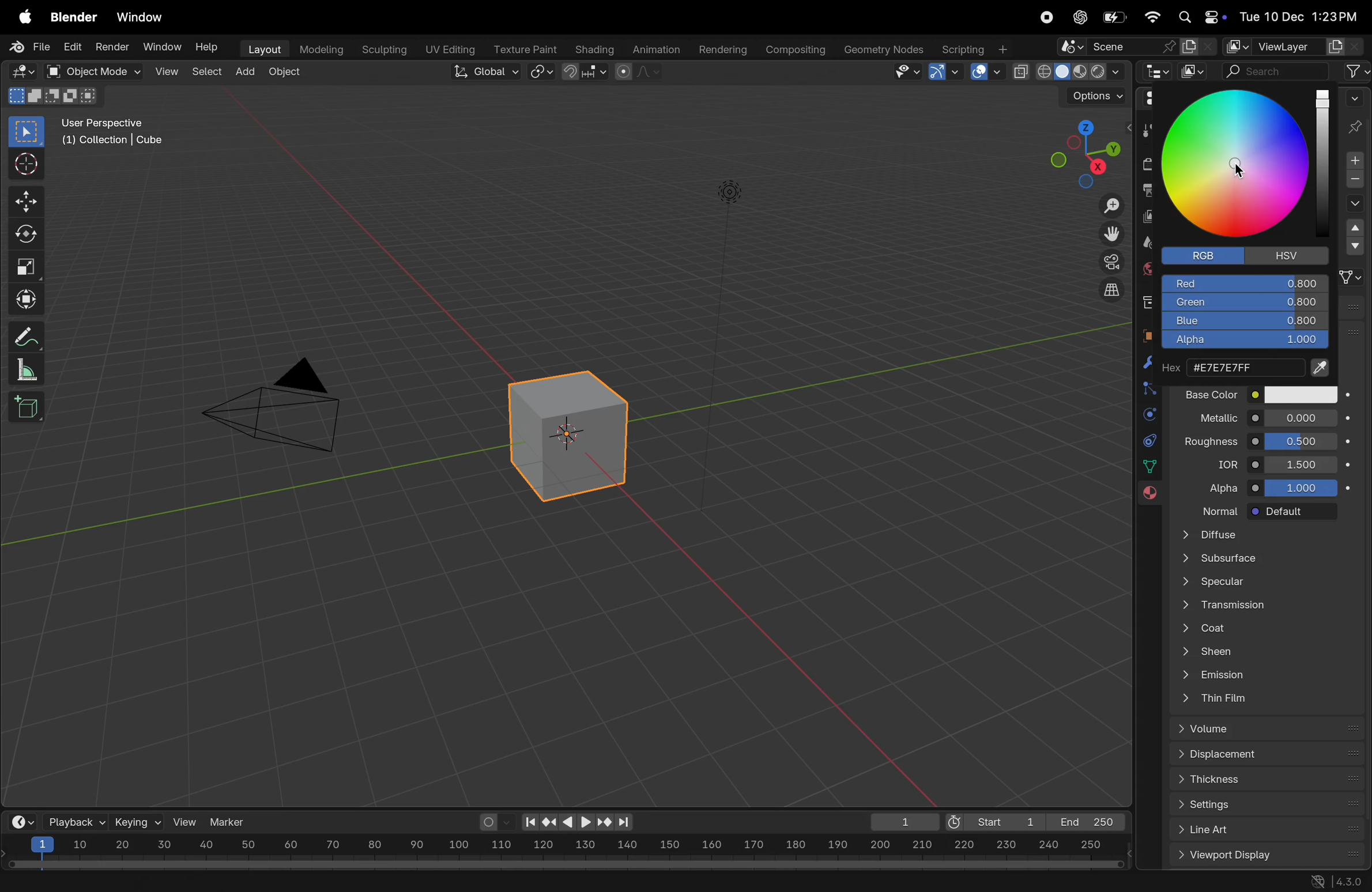 The image size is (1372, 892). Describe the element at coordinates (24, 235) in the screenshot. I see `rotate` at that location.